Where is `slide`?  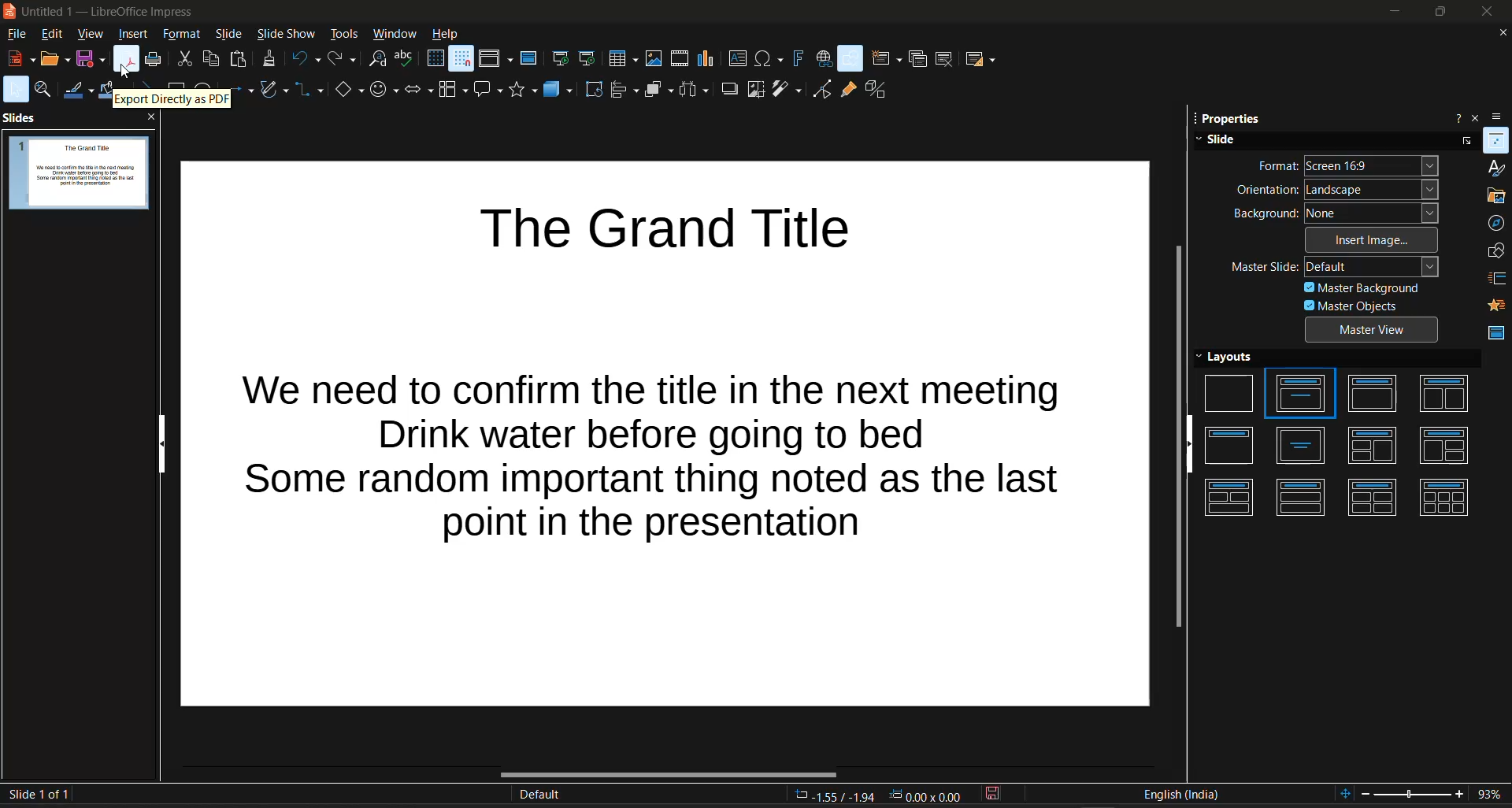 slide is located at coordinates (227, 33).